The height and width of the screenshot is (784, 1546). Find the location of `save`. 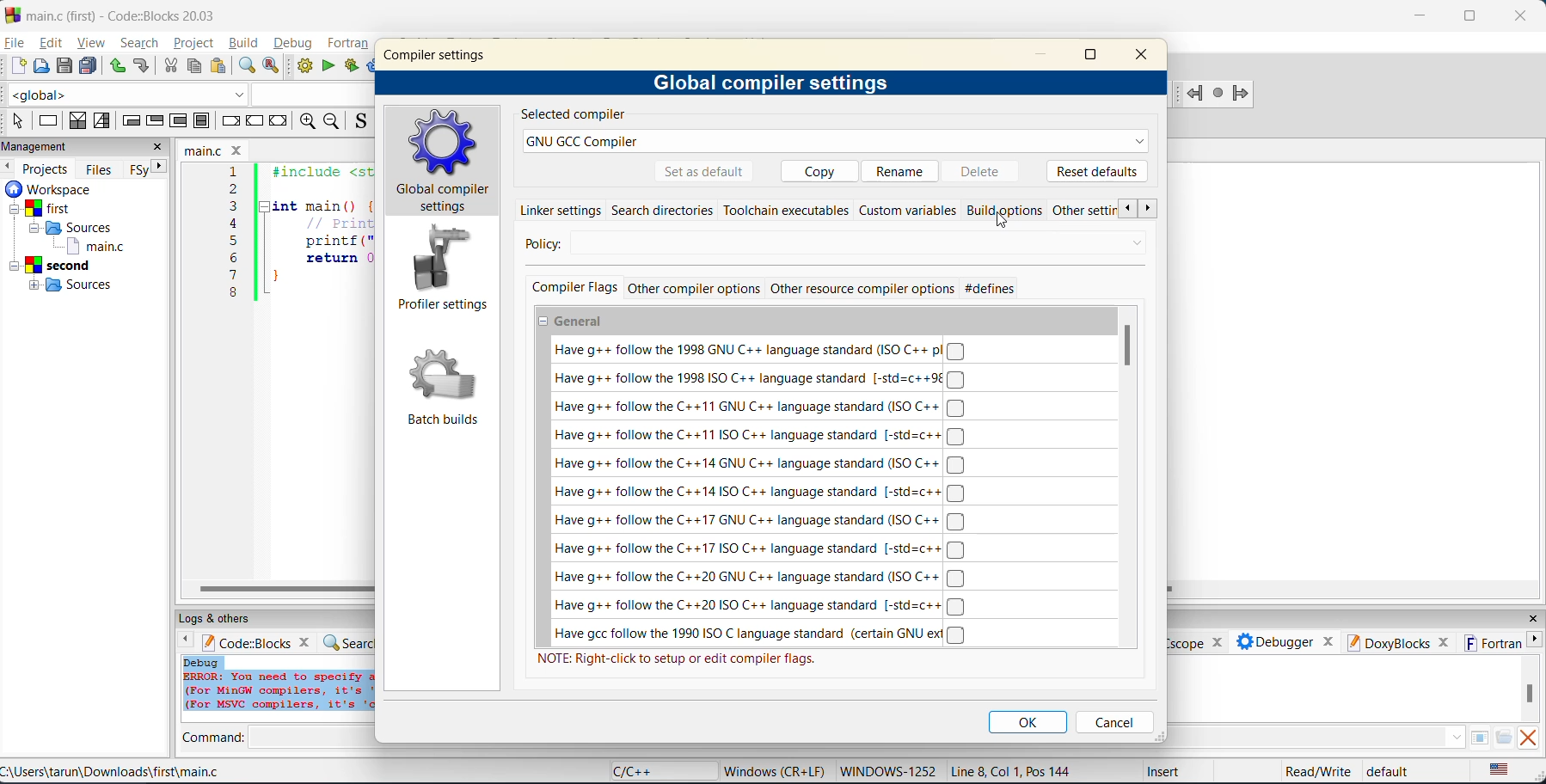

save is located at coordinates (64, 67).